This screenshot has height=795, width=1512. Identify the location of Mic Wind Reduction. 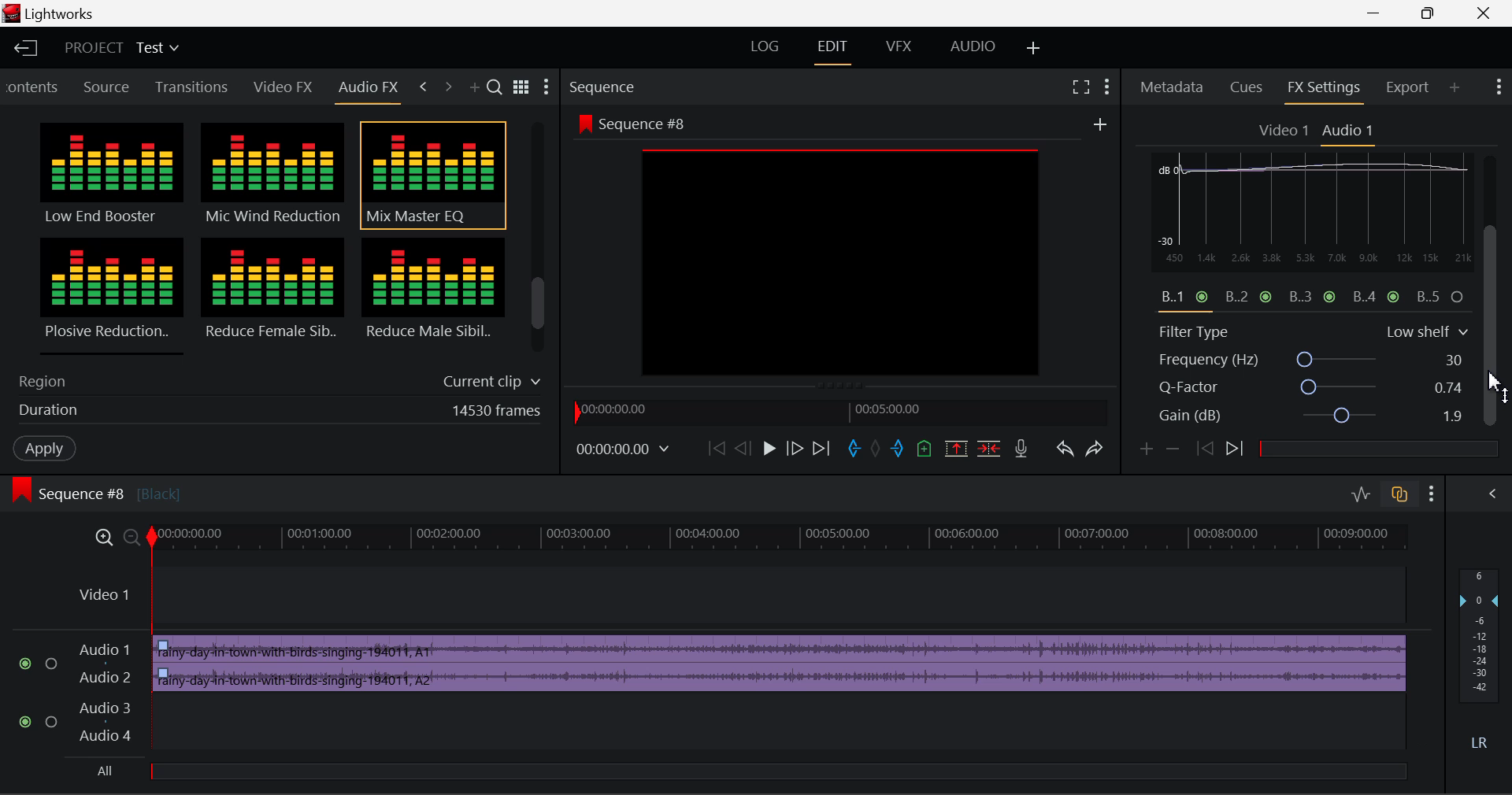
(273, 176).